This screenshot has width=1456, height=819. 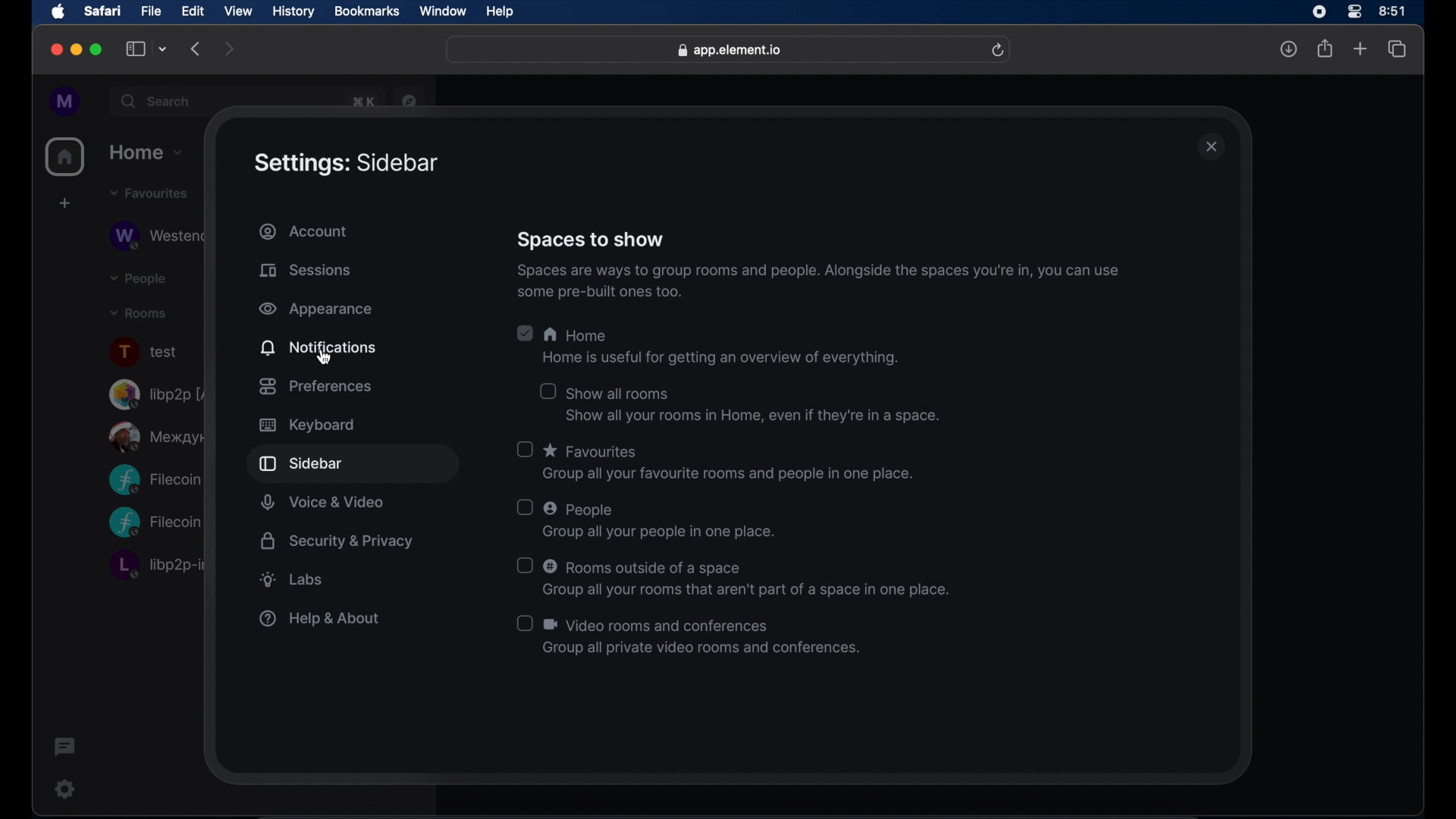 What do you see at coordinates (1392, 15) in the screenshot?
I see `time` at bounding box center [1392, 15].